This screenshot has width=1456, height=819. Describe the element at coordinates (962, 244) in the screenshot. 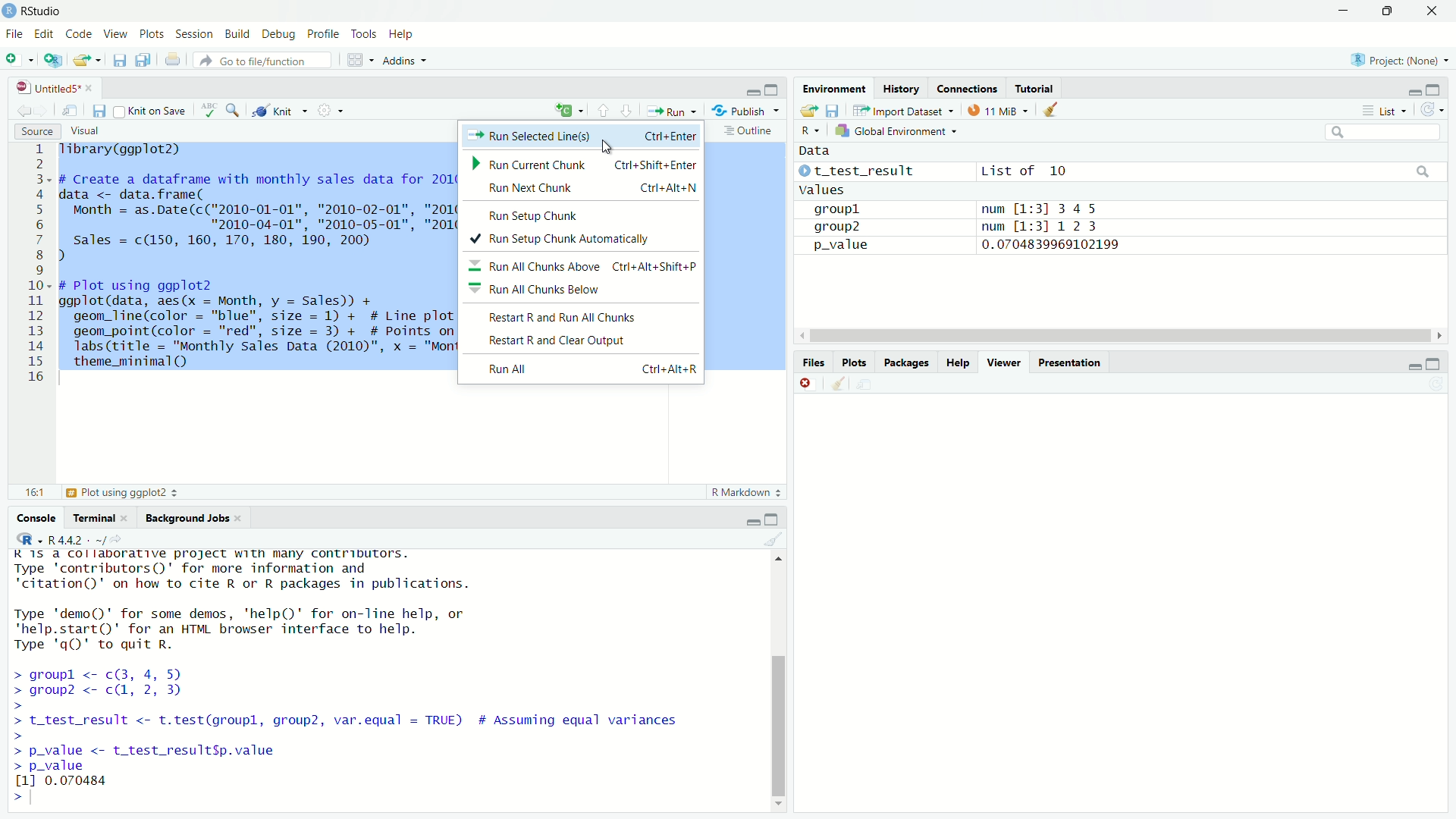

I see `p_value 0.0704839969102199` at that location.